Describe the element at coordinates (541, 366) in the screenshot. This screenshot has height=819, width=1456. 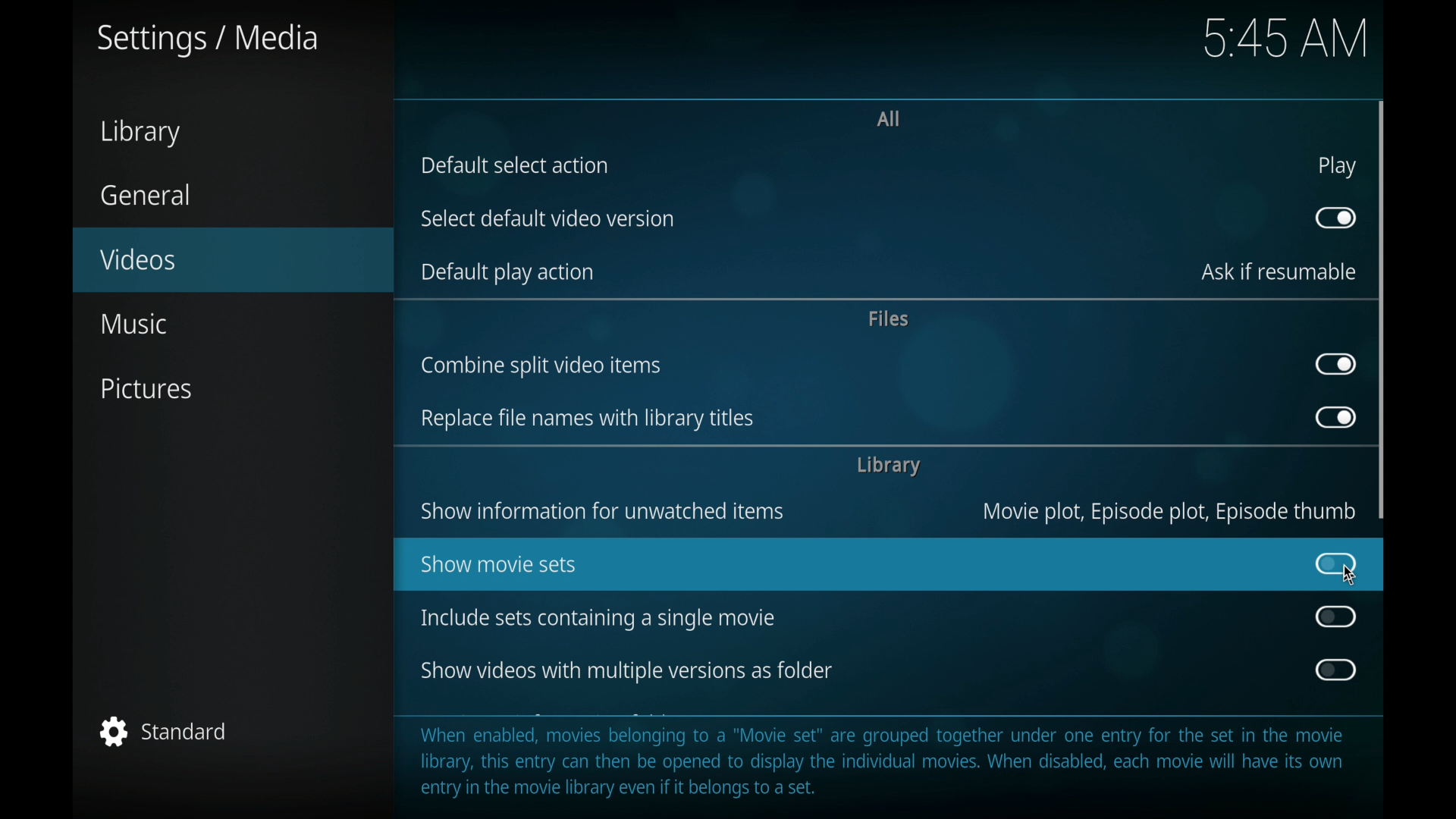
I see `combine split` at that location.